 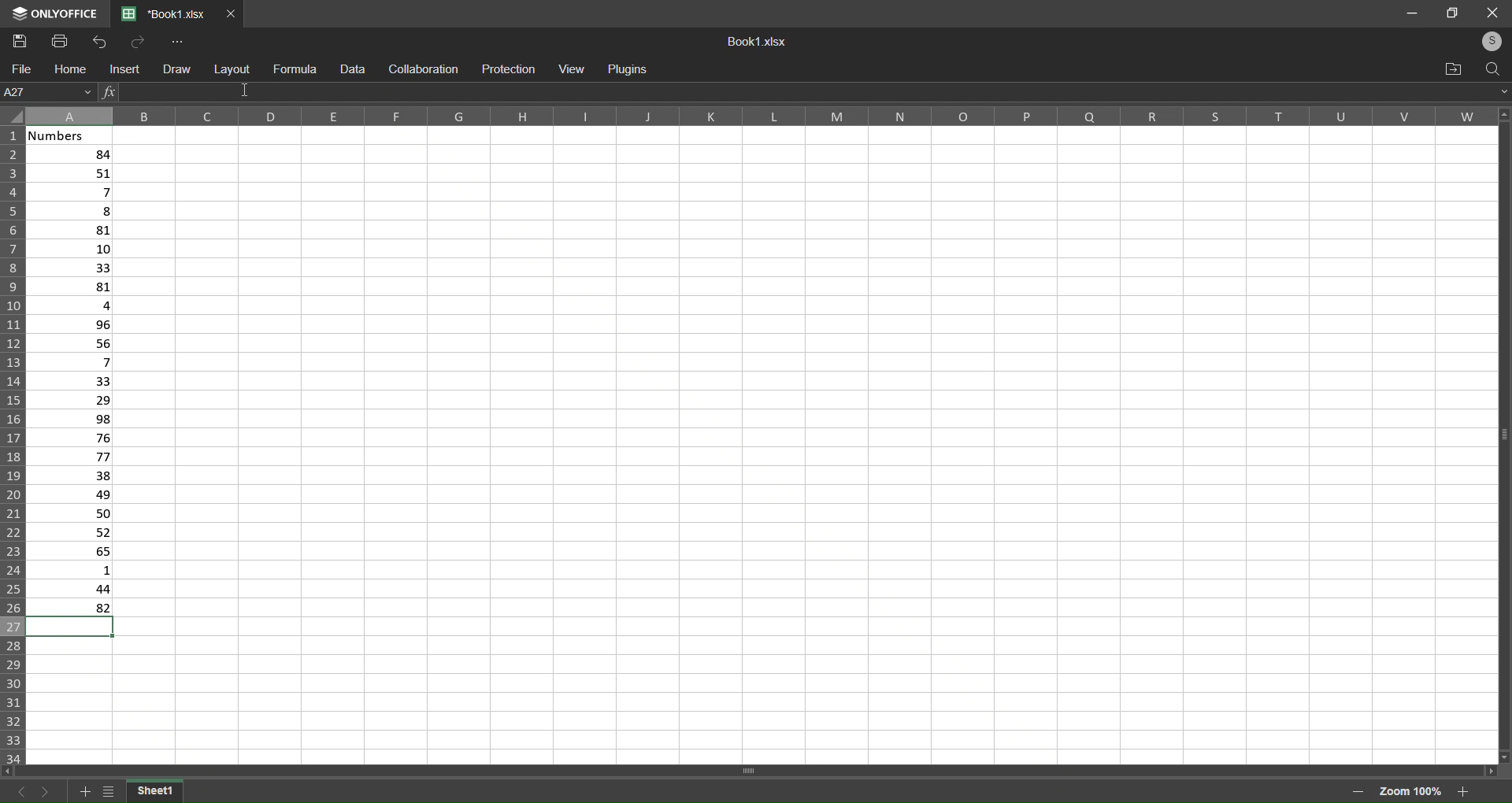 What do you see at coordinates (1493, 40) in the screenshot?
I see `login` at bounding box center [1493, 40].